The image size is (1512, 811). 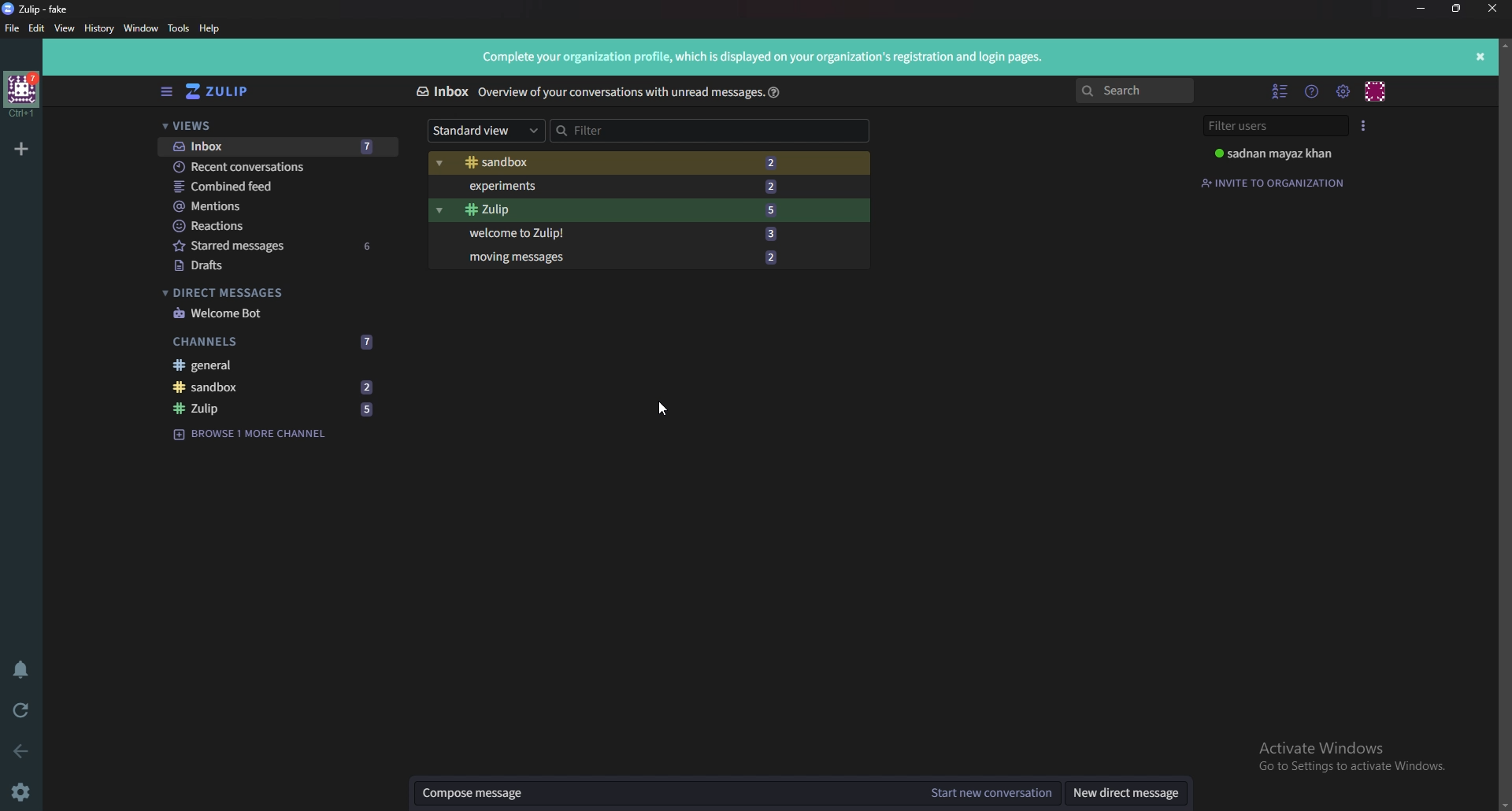 What do you see at coordinates (634, 210) in the screenshot?
I see `Zulip` at bounding box center [634, 210].